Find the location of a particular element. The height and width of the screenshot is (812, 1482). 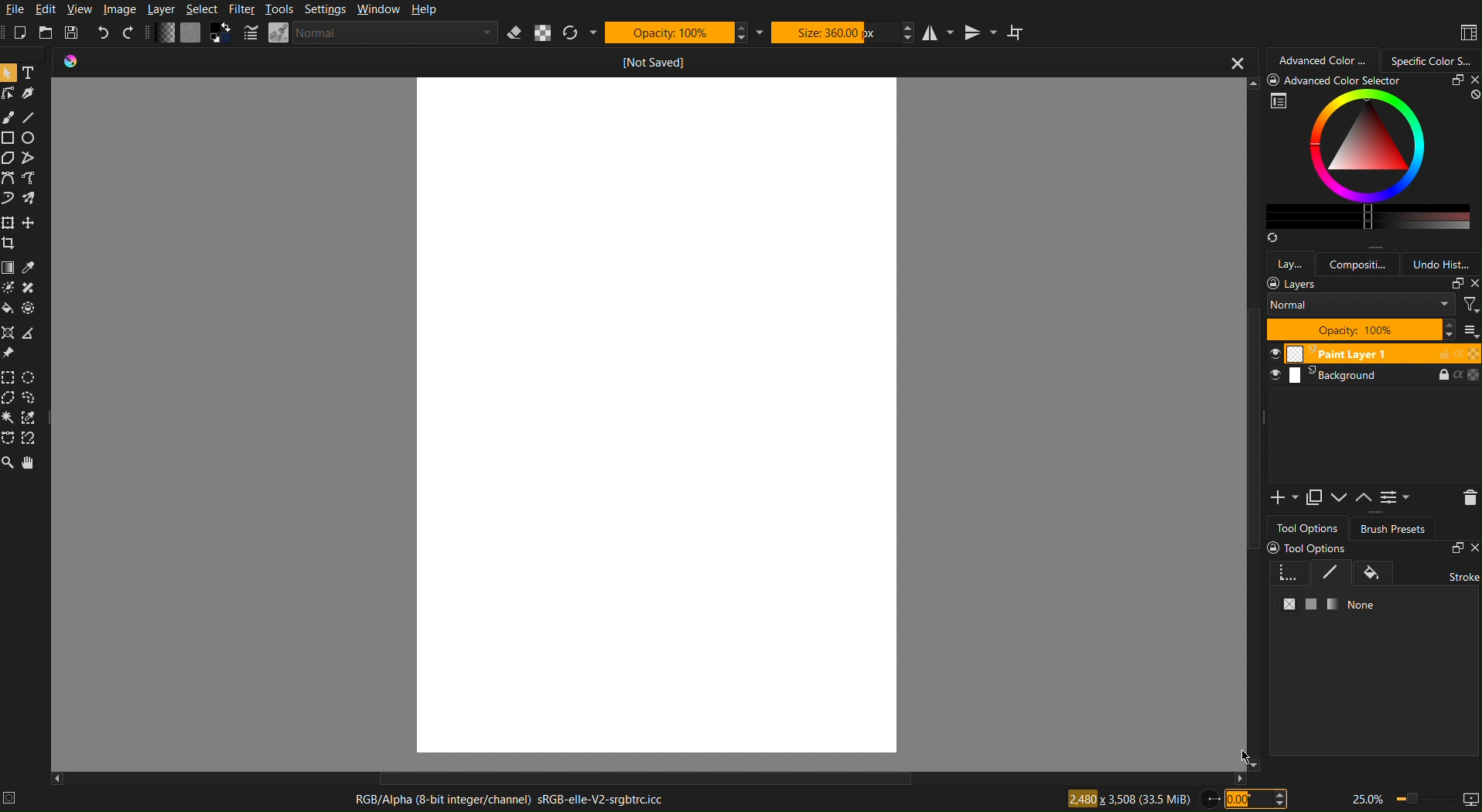

Layers is located at coordinates (1289, 262).